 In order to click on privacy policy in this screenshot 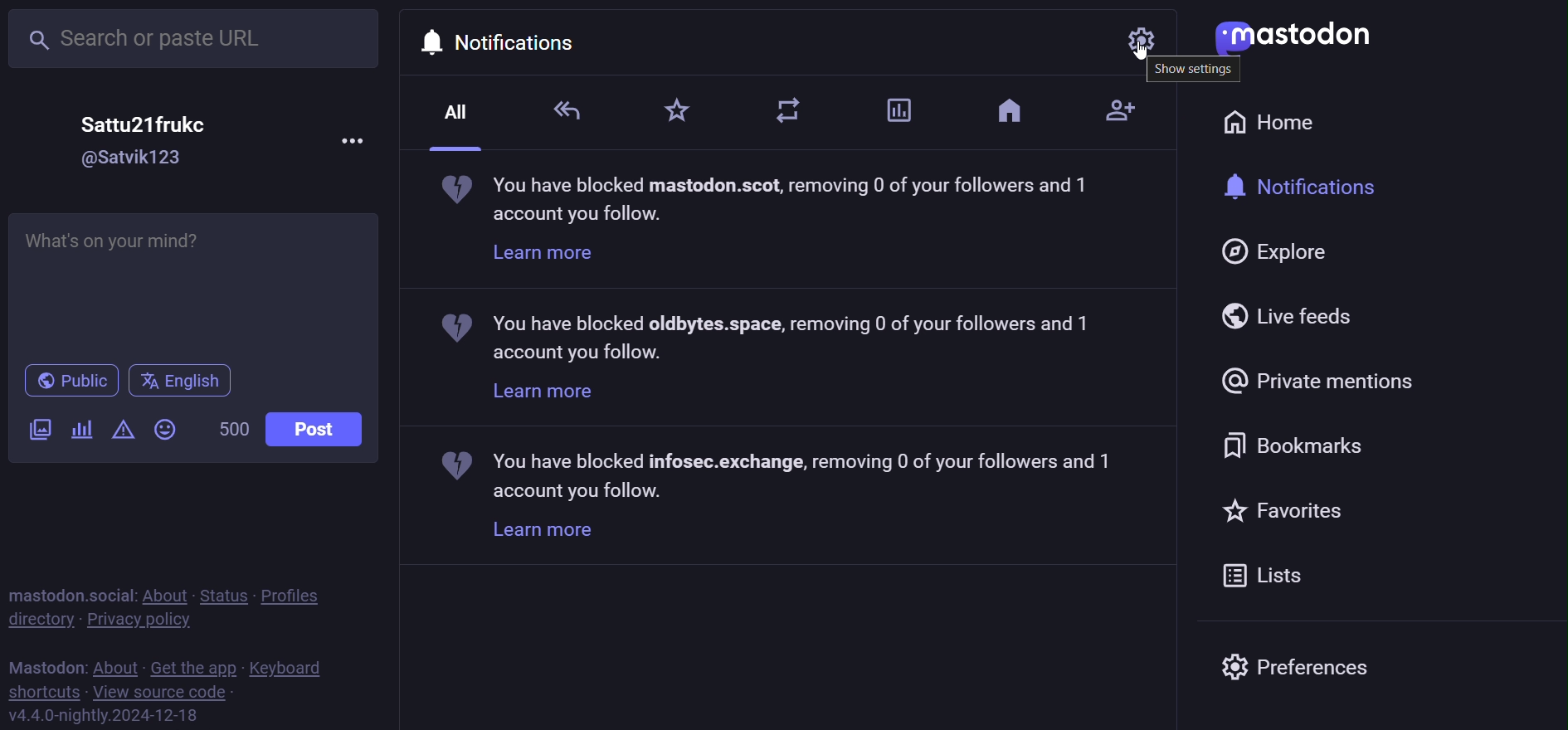, I will do `click(148, 619)`.